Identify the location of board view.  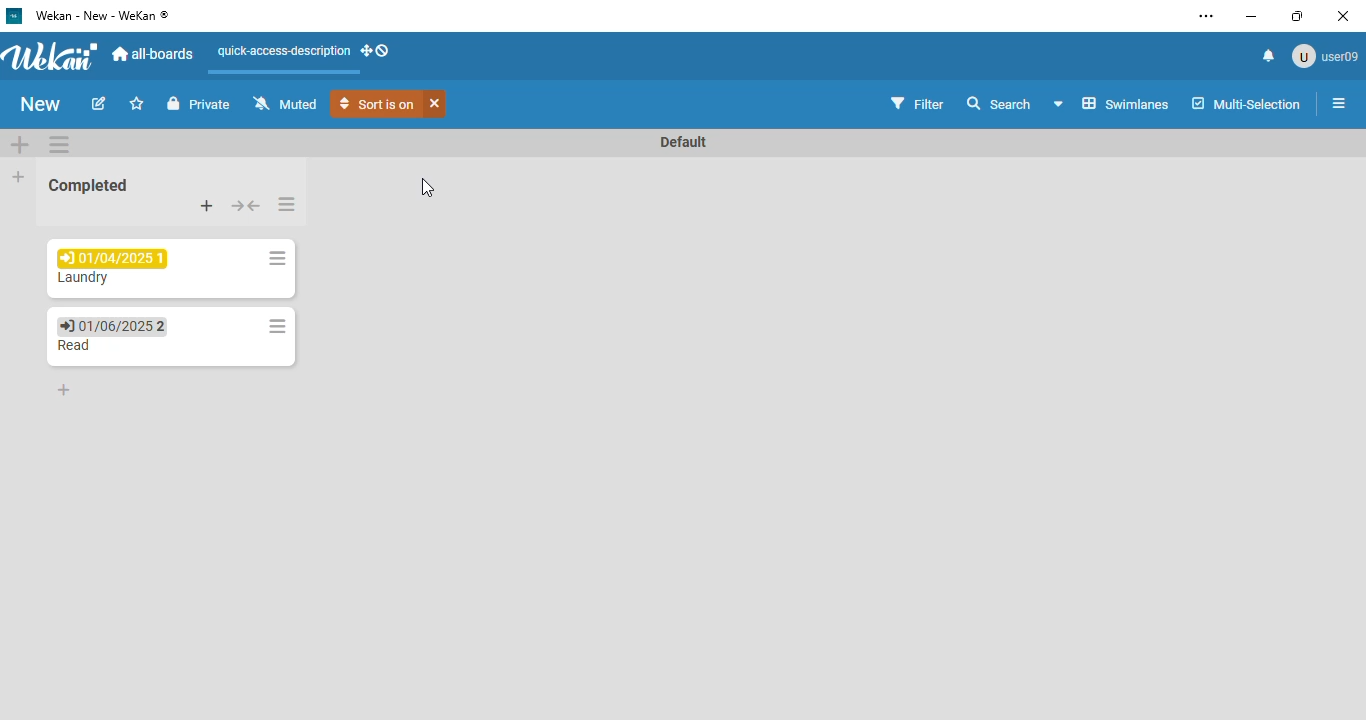
(1113, 103).